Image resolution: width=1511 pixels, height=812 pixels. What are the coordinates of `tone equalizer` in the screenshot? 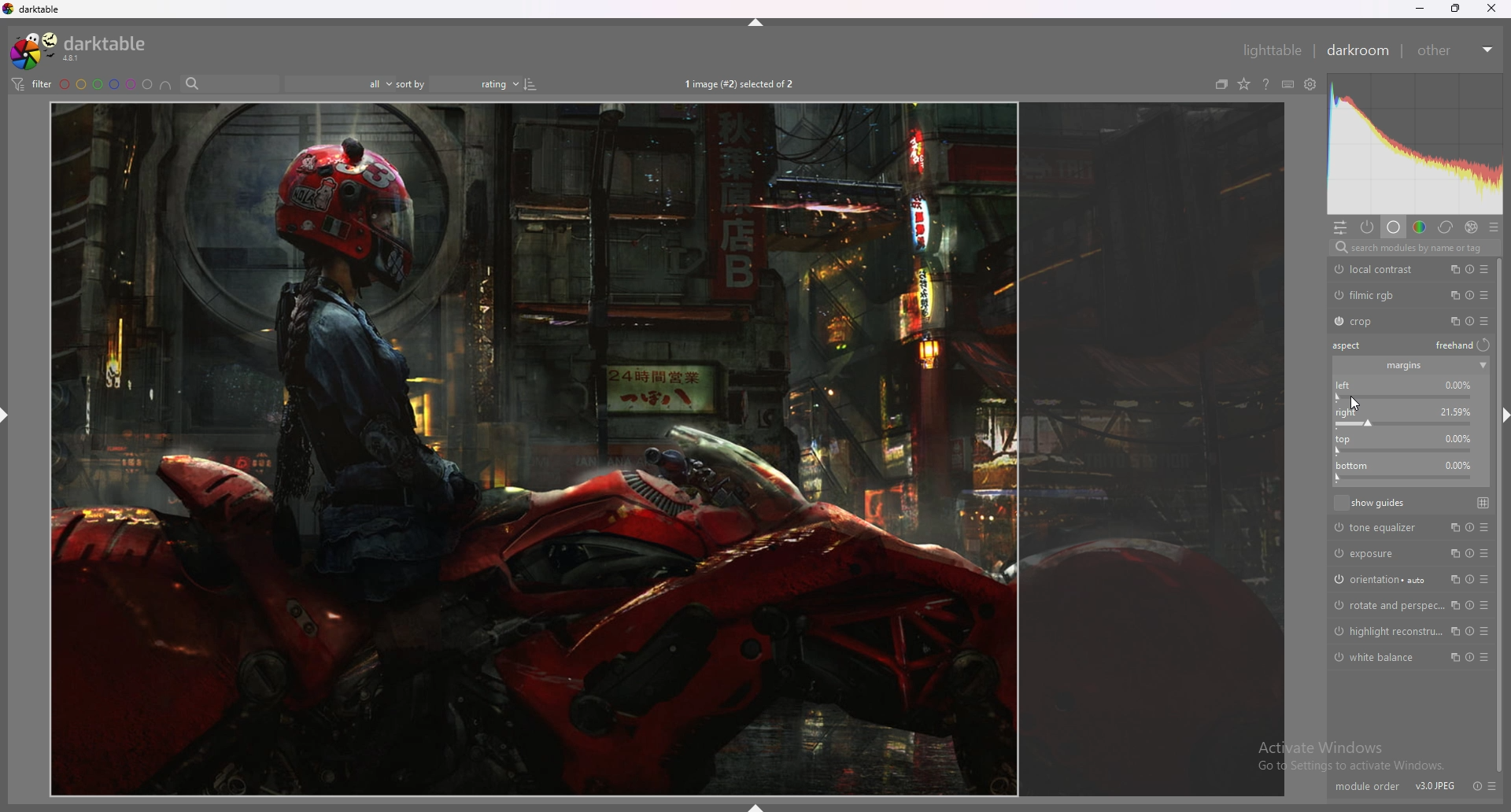 It's located at (1380, 528).